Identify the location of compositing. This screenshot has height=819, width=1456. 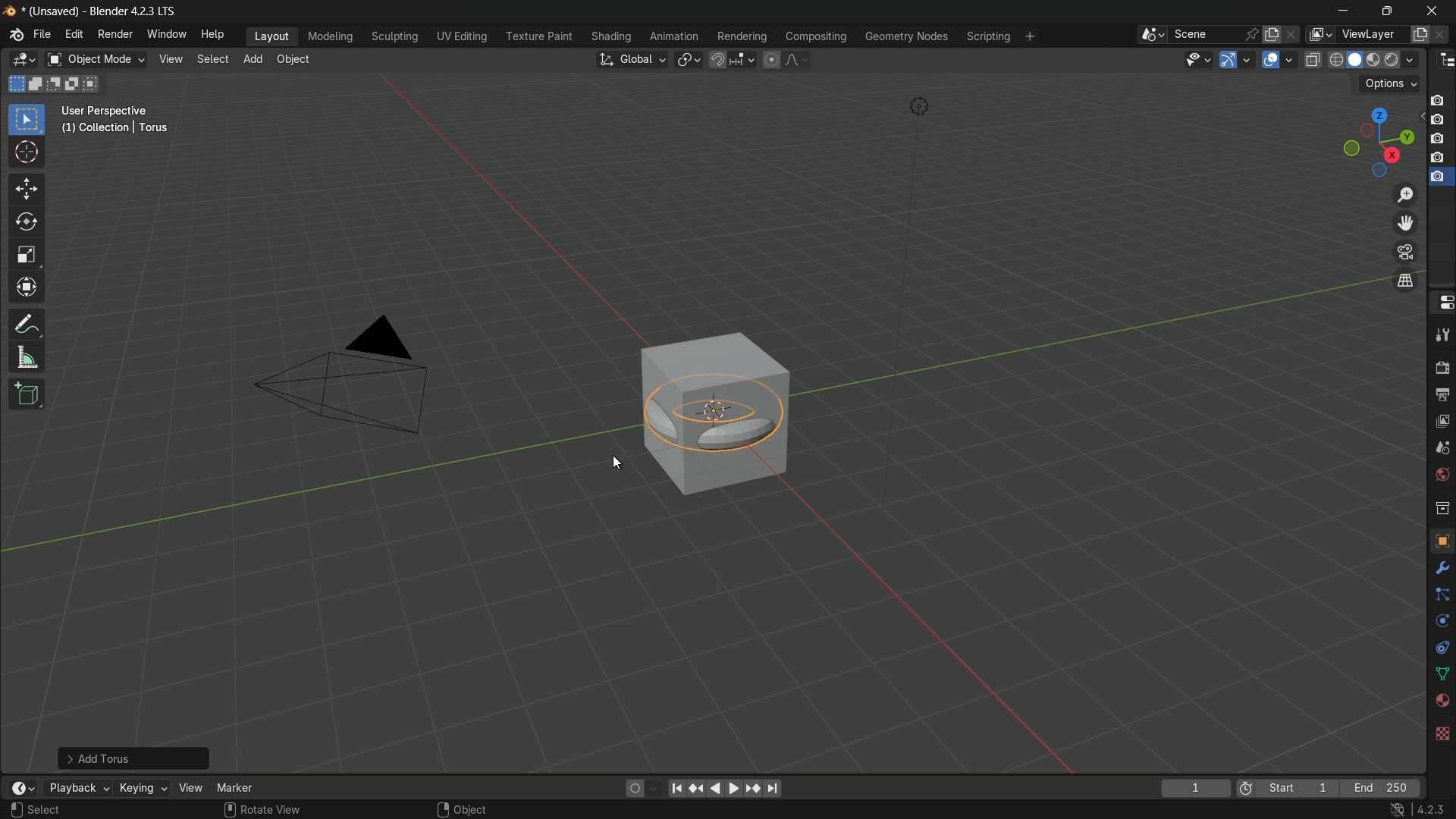
(816, 36).